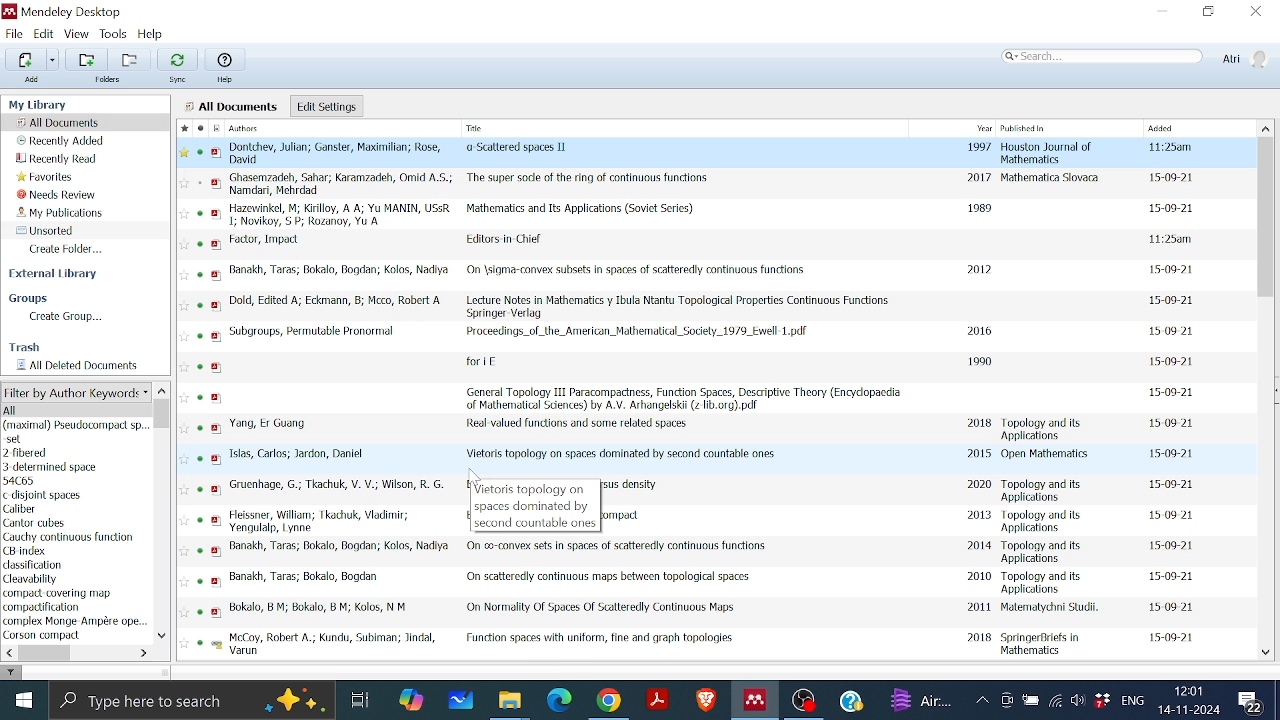 This screenshot has width=1280, height=720. What do you see at coordinates (1170, 485) in the screenshot?
I see `date` at bounding box center [1170, 485].